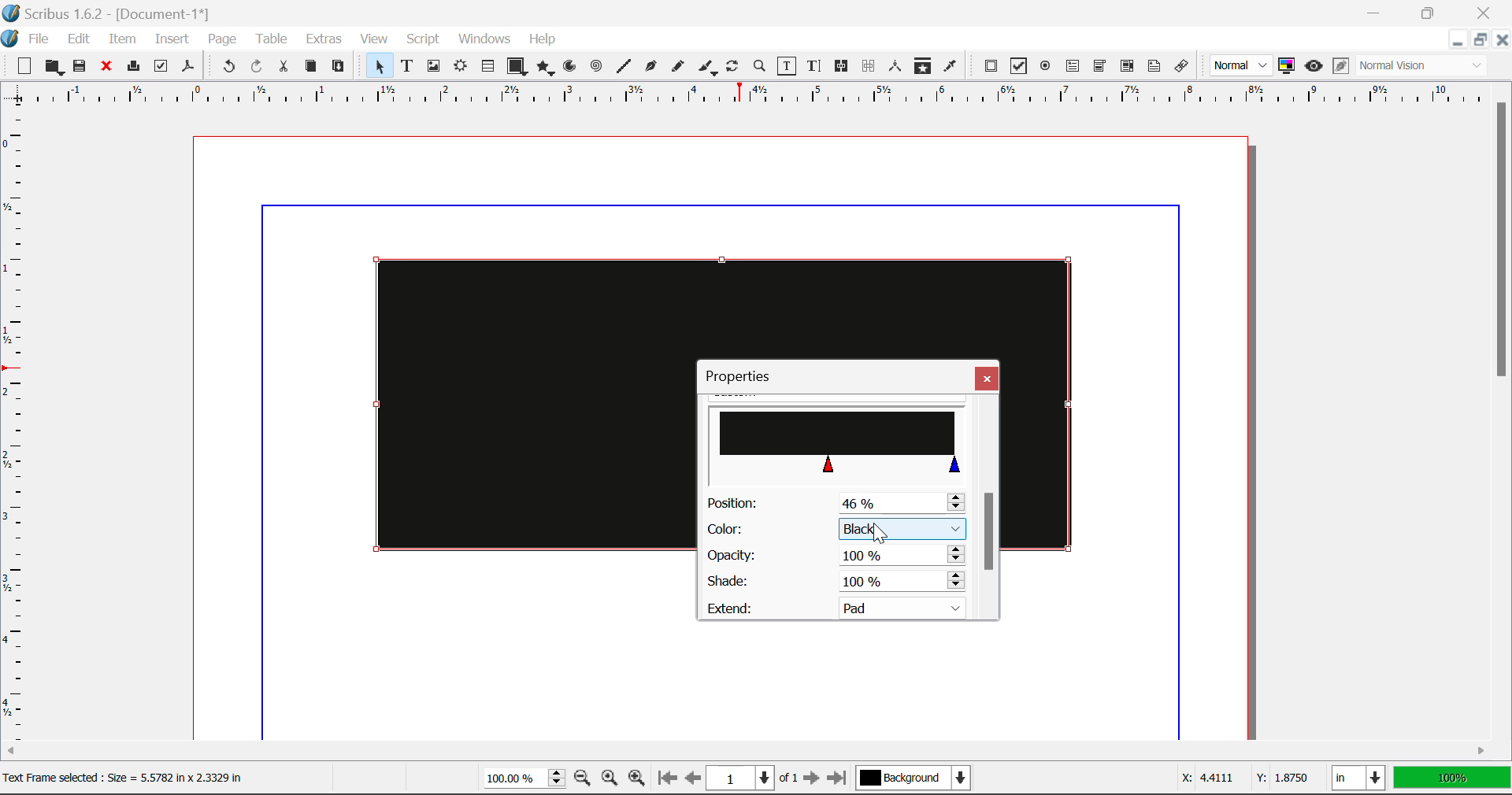 The image size is (1512, 795). Describe the element at coordinates (922, 68) in the screenshot. I see `Copy Item Properties` at that location.